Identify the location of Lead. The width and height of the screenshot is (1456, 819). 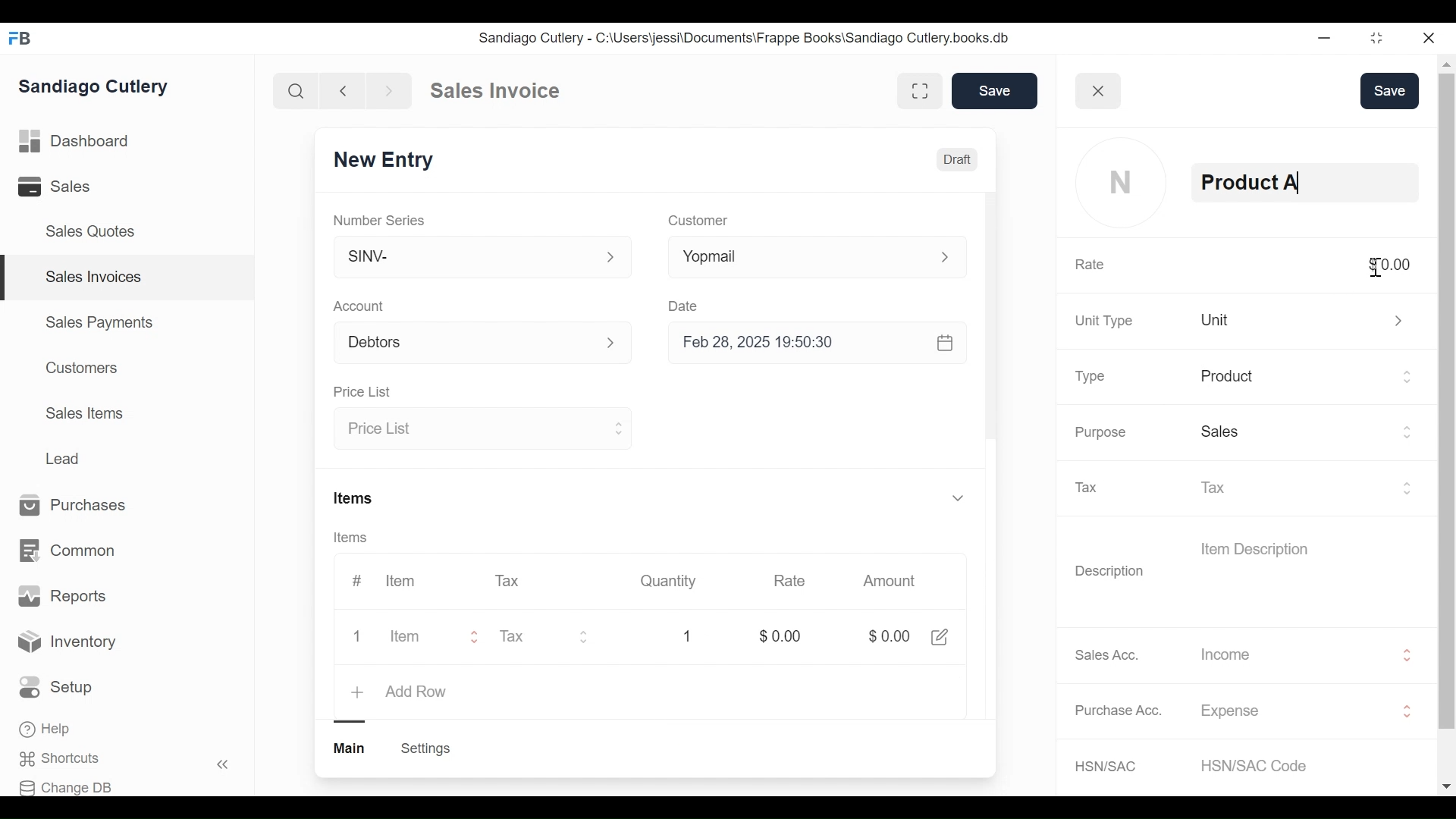
(64, 457).